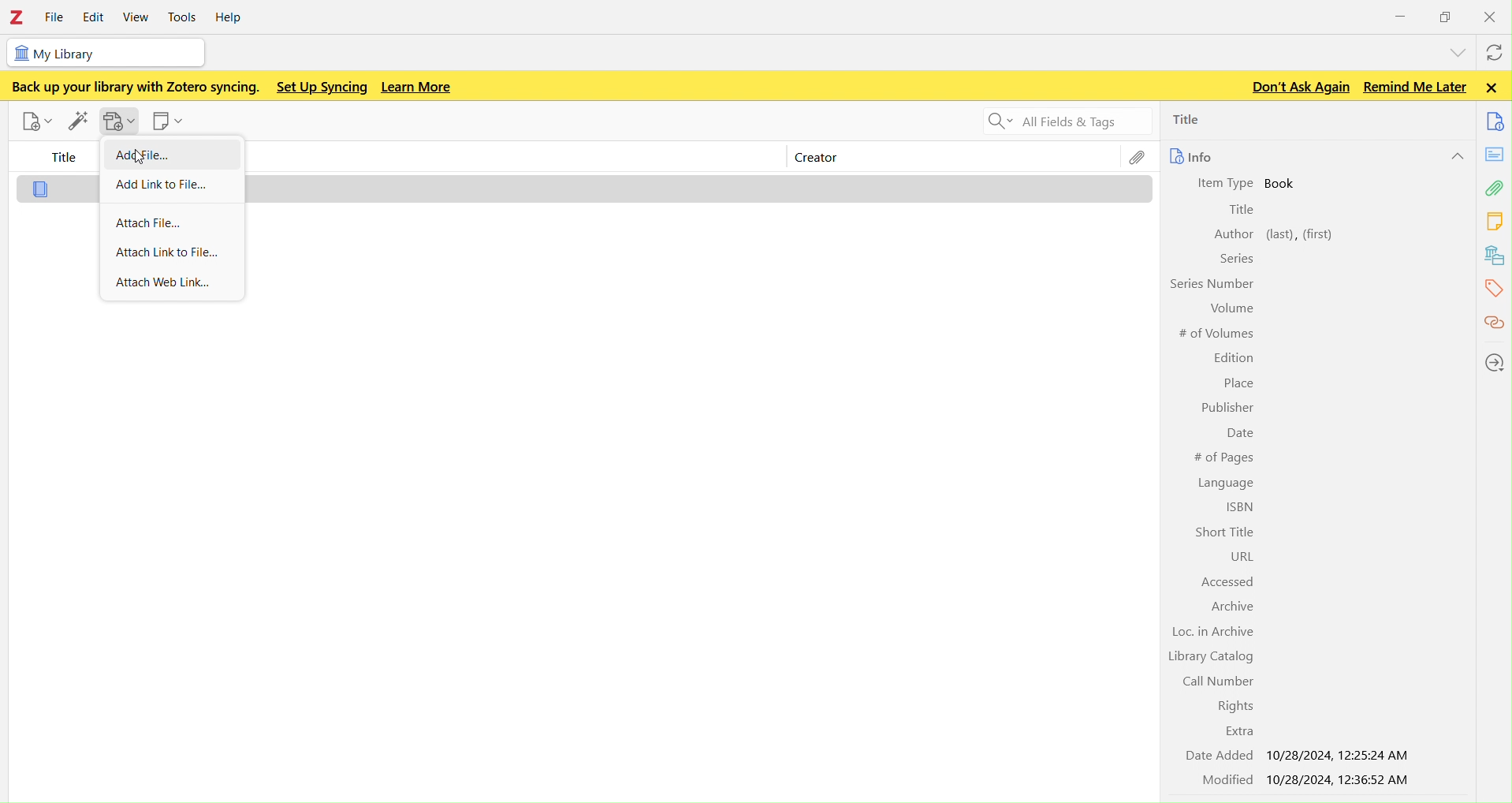 This screenshot has height=803, width=1512. I want to click on Close, so click(1492, 88).